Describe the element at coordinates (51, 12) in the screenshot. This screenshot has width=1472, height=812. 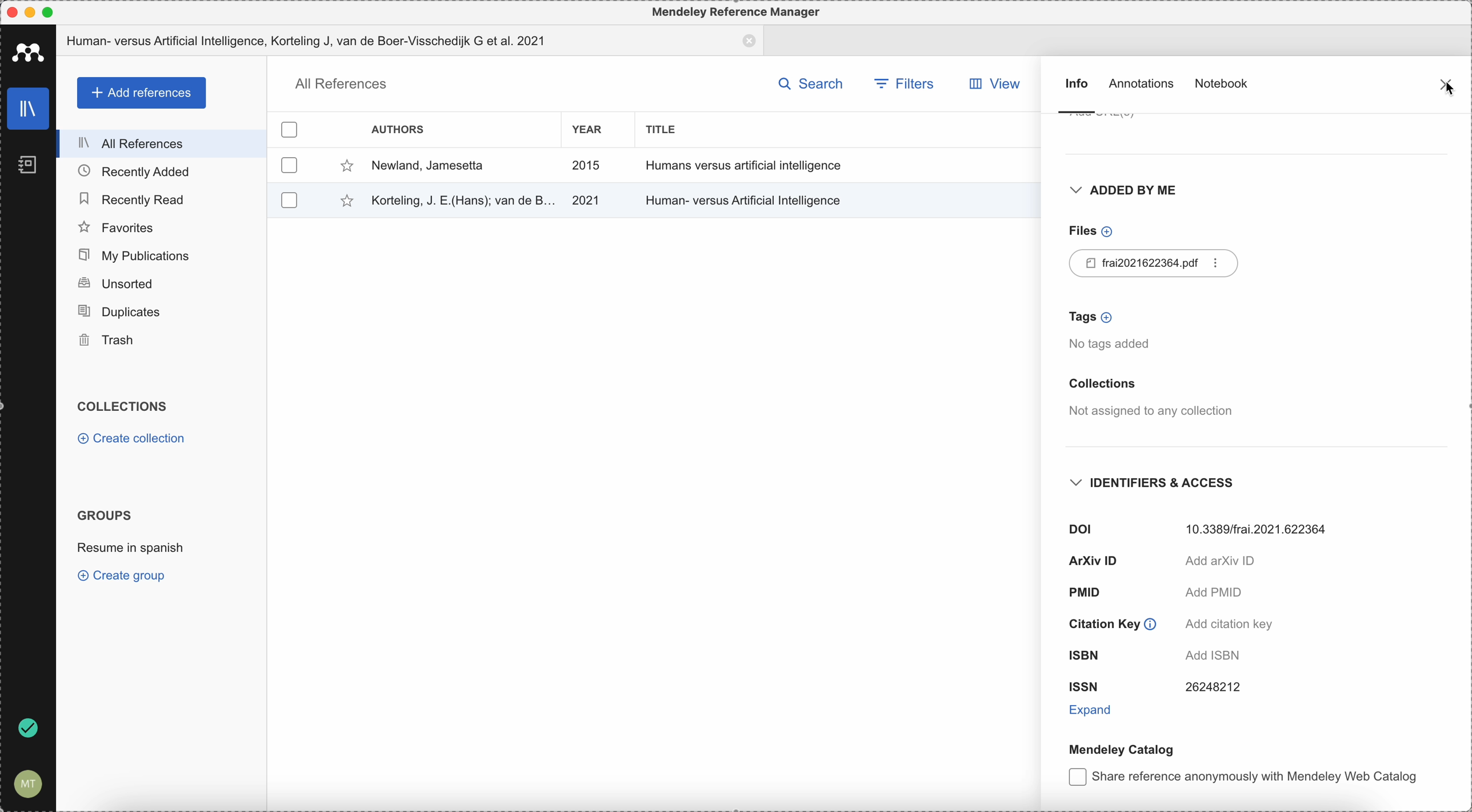
I see `maximize Mendeley` at that location.